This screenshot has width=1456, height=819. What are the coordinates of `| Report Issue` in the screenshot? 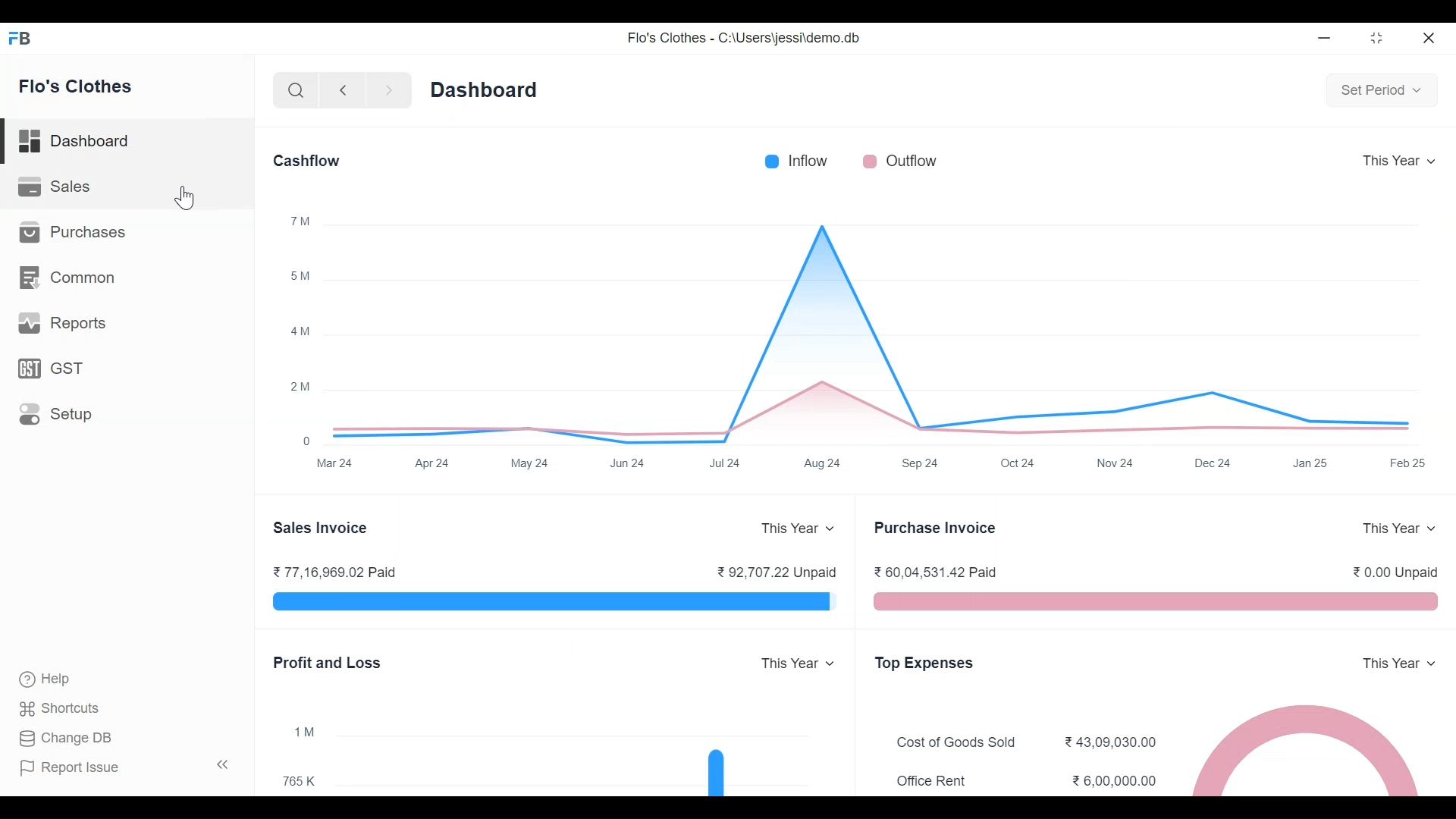 It's located at (126, 767).